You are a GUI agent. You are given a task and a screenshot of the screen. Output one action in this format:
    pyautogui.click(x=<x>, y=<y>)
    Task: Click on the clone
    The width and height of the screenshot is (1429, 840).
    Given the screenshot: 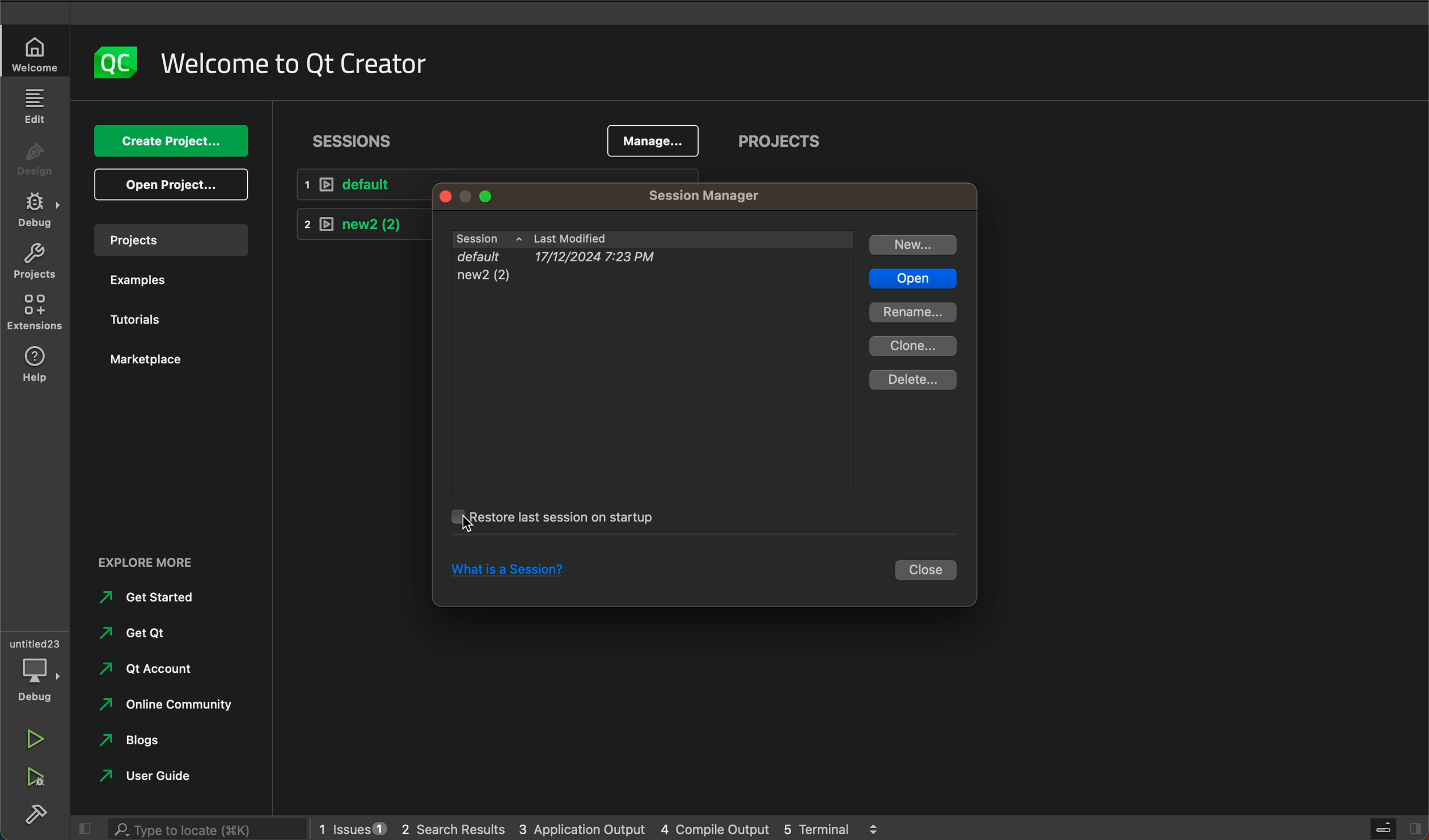 What is the action you would take?
    pyautogui.click(x=910, y=346)
    